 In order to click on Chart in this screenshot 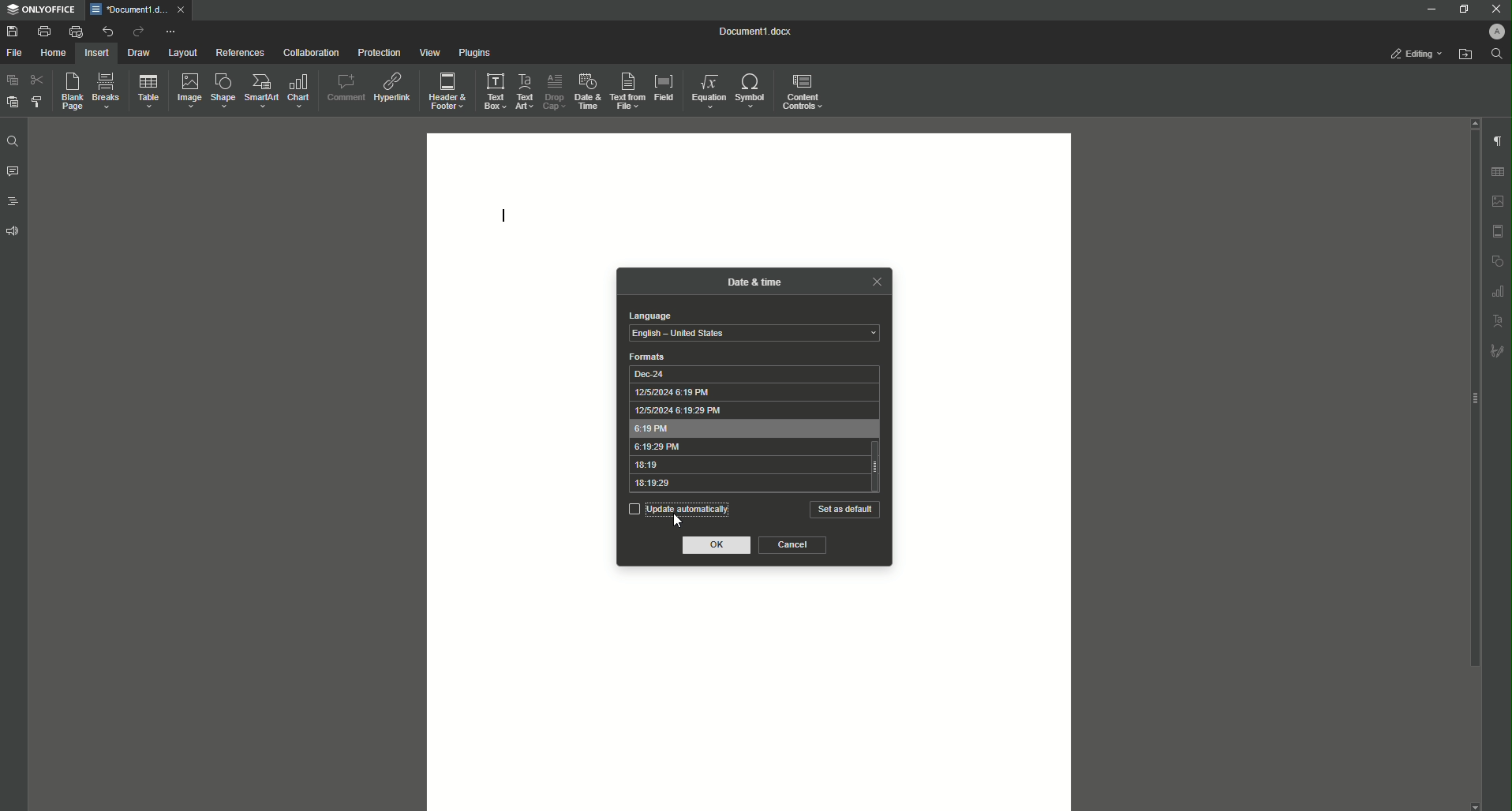, I will do `click(301, 91)`.